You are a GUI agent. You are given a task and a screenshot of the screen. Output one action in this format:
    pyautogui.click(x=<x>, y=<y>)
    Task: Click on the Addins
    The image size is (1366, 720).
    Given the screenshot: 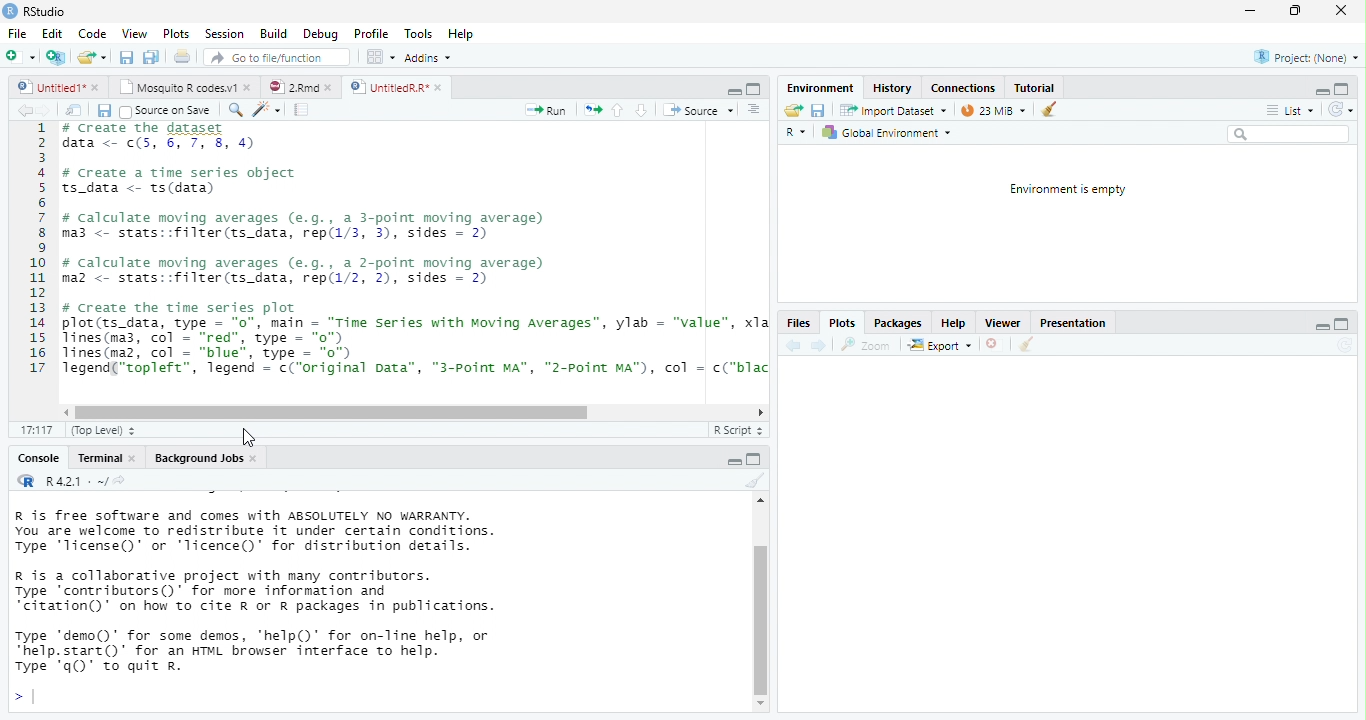 What is the action you would take?
    pyautogui.click(x=428, y=58)
    